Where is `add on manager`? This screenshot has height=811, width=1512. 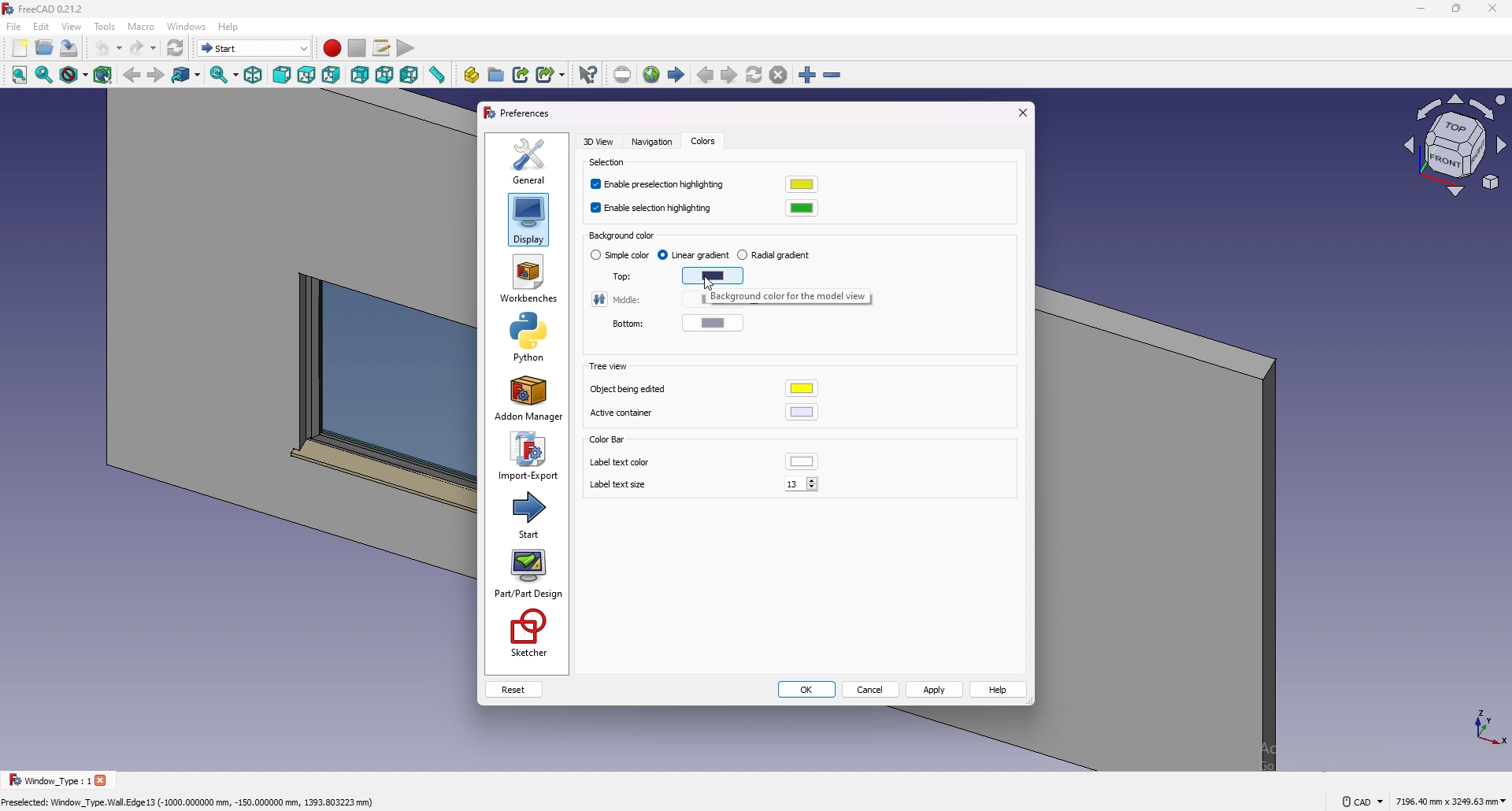
add on manager is located at coordinates (528, 398).